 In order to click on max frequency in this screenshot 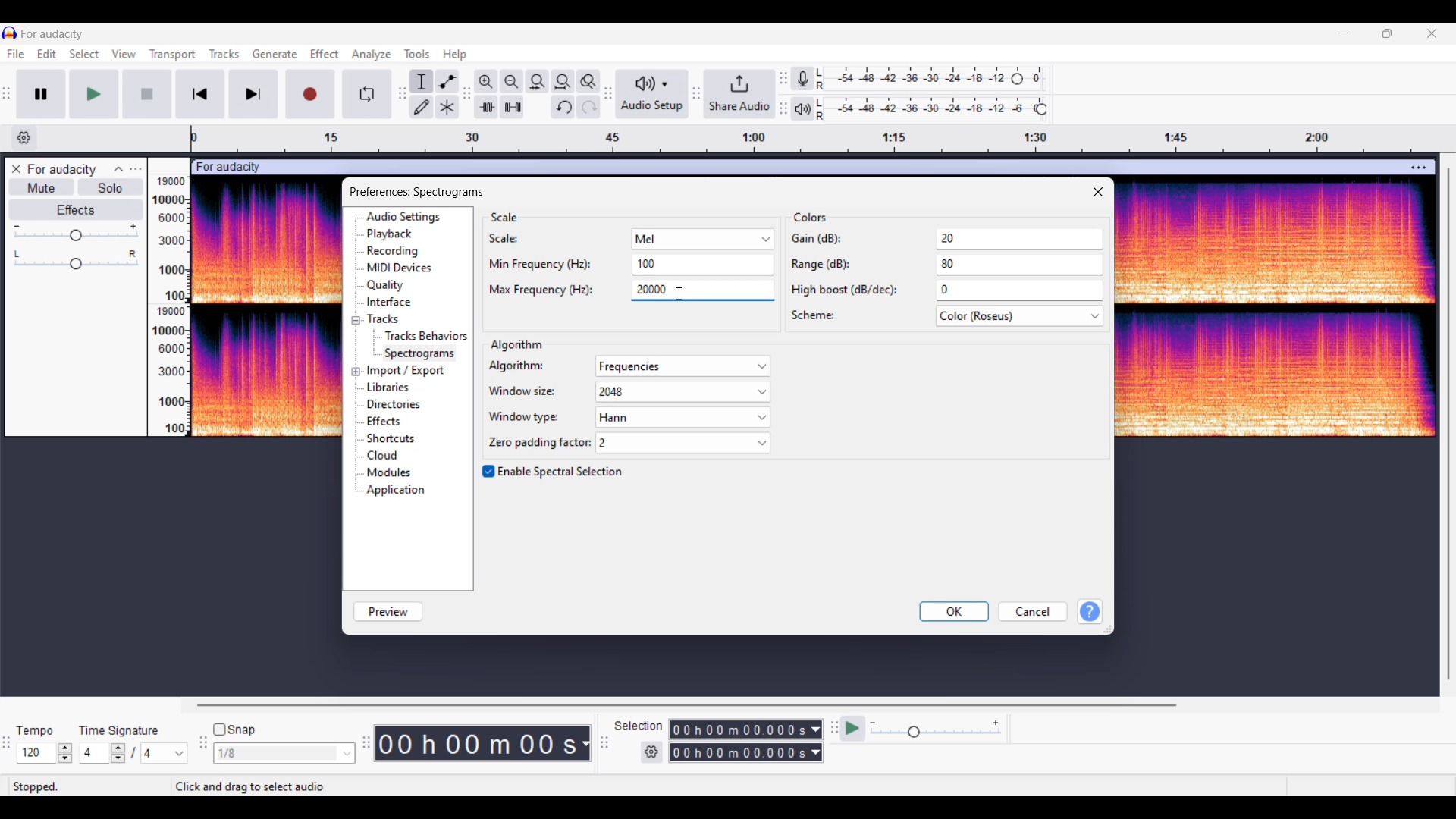, I will do `click(579, 293)`.